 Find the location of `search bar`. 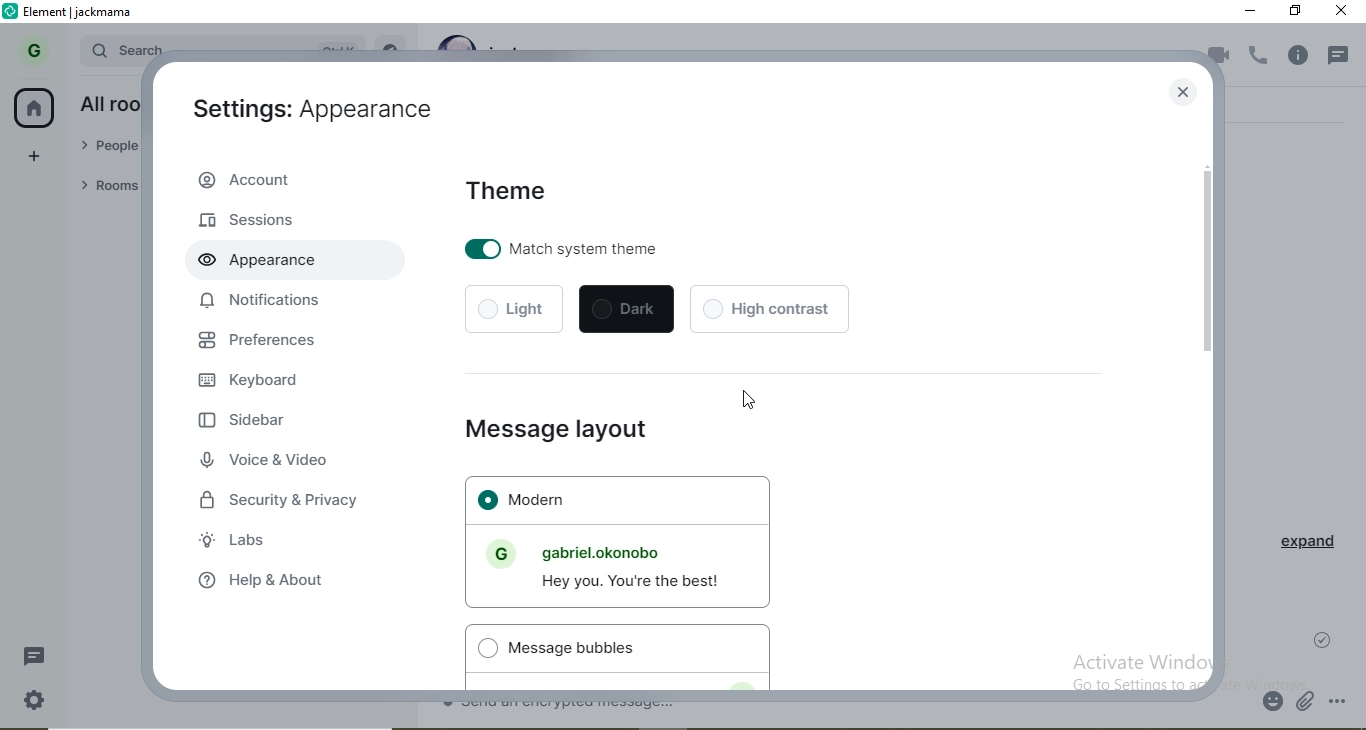

search bar is located at coordinates (125, 47).